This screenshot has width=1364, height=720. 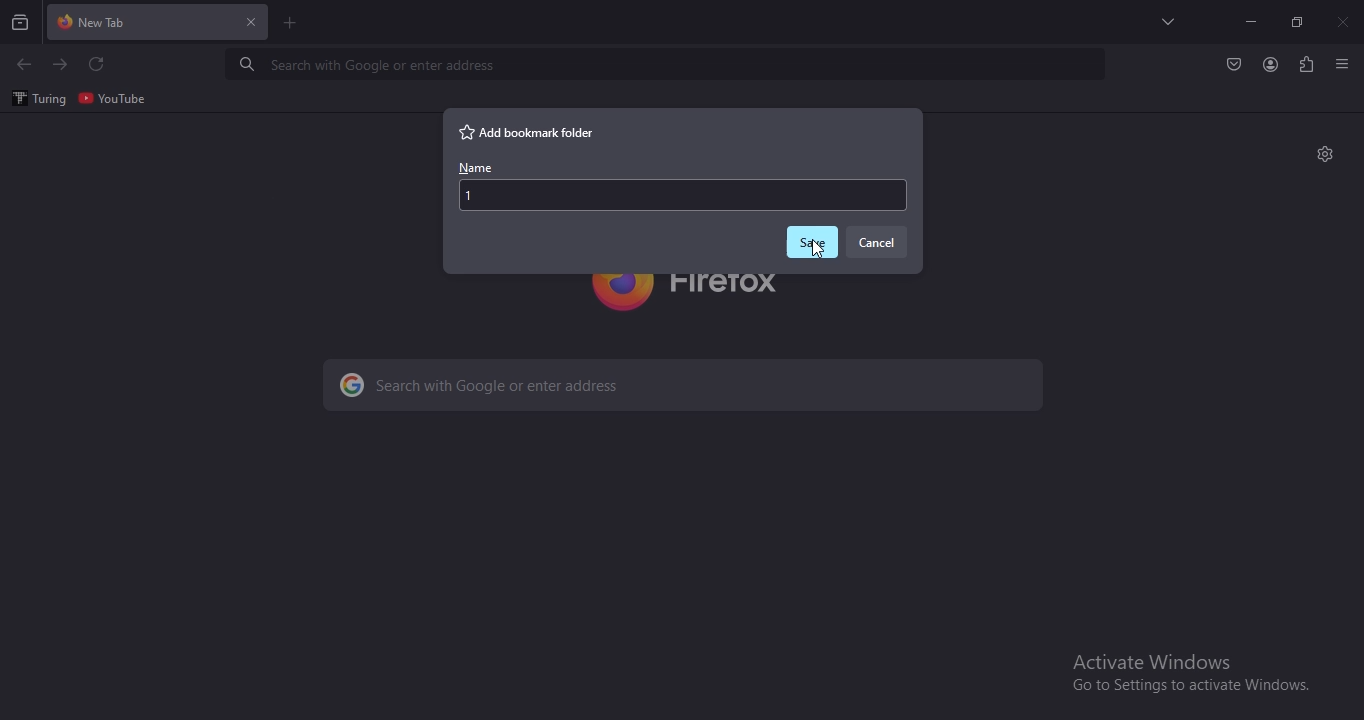 I want to click on restore windows, so click(x=1299, y=22).